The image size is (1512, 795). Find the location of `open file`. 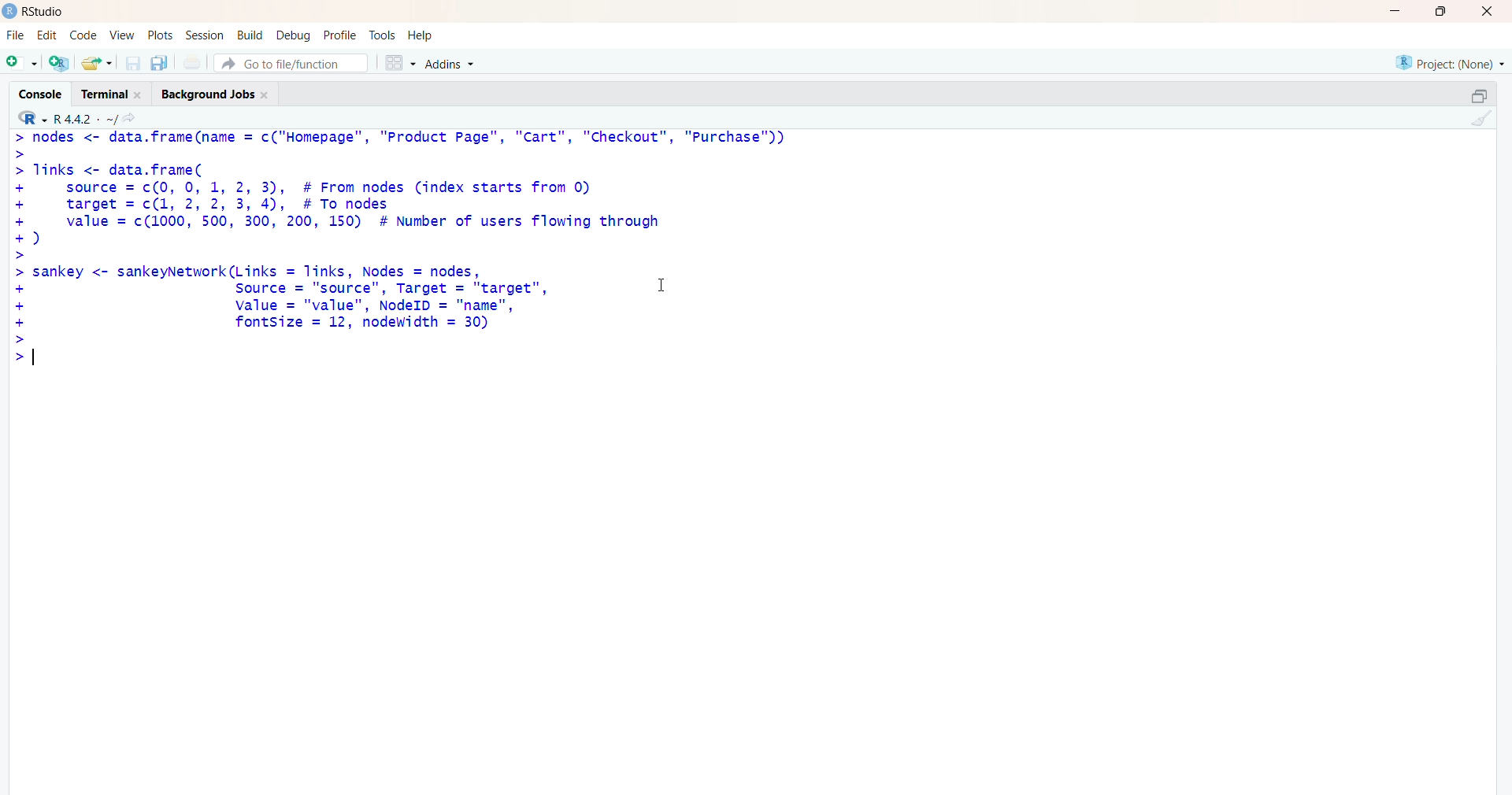

open file is located at coordinates (97, 64).